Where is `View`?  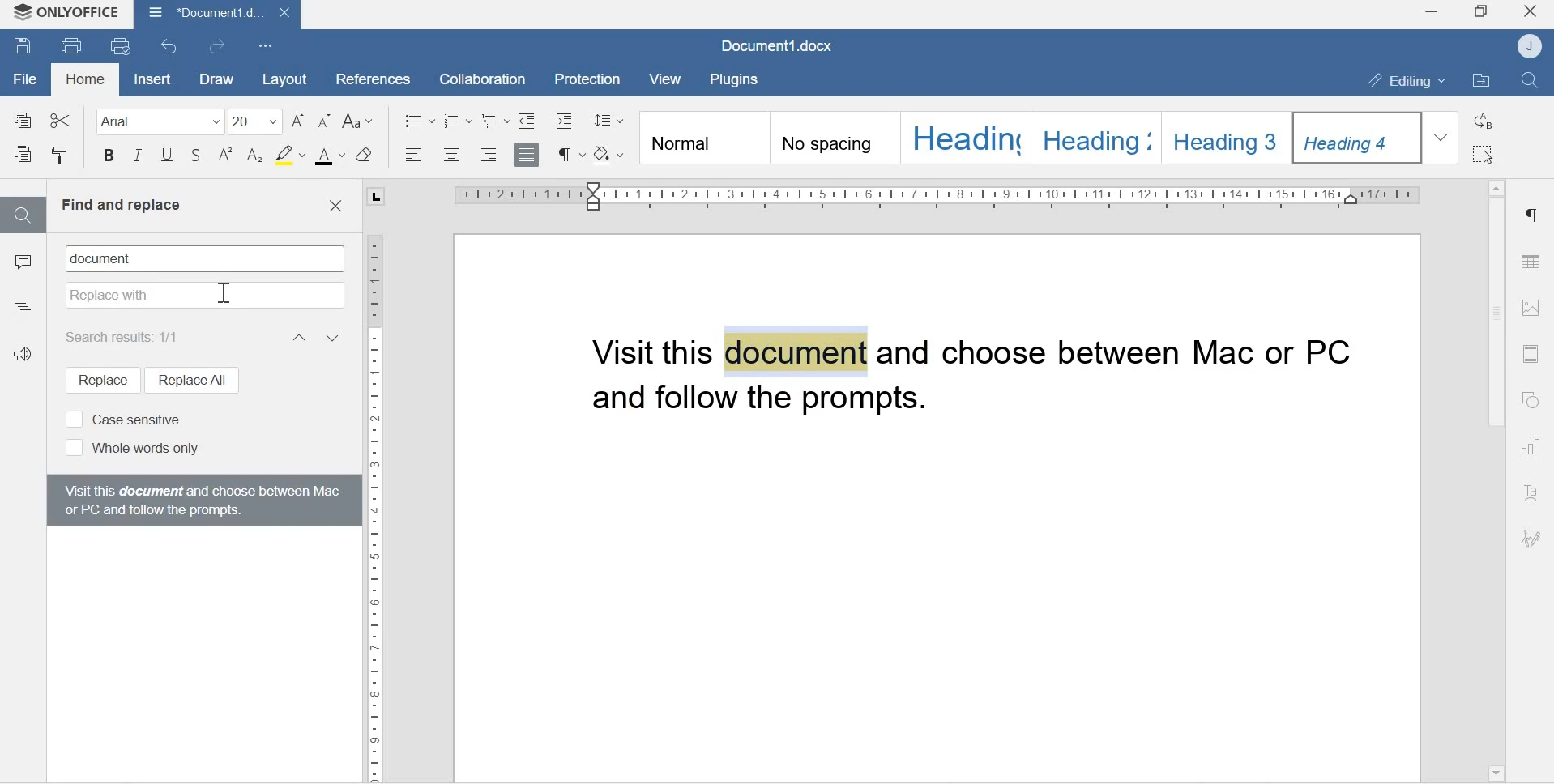
View is located at coordinates (668, 79).